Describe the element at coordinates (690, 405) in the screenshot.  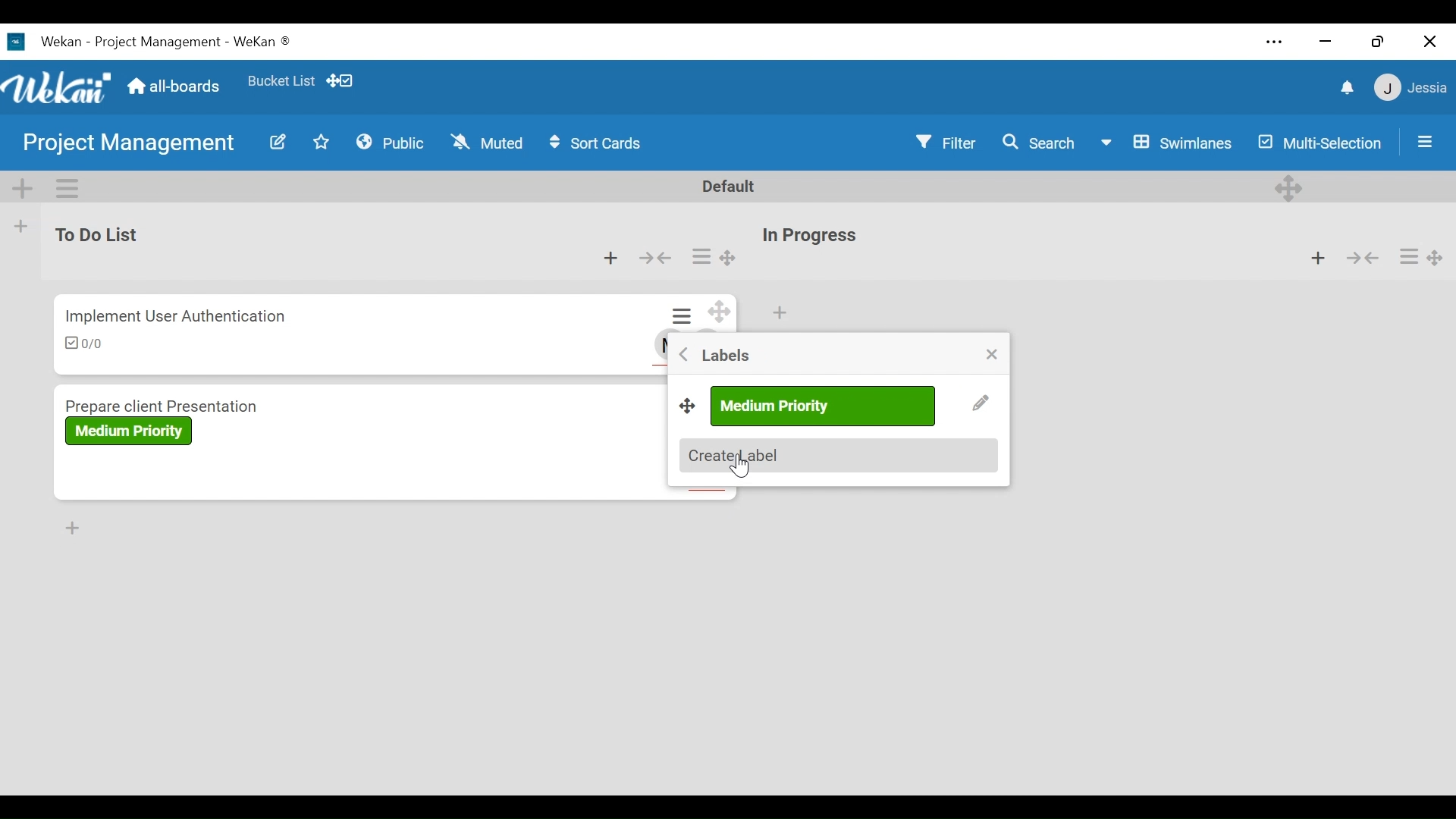
I see `Desktop drag handles` at that location.